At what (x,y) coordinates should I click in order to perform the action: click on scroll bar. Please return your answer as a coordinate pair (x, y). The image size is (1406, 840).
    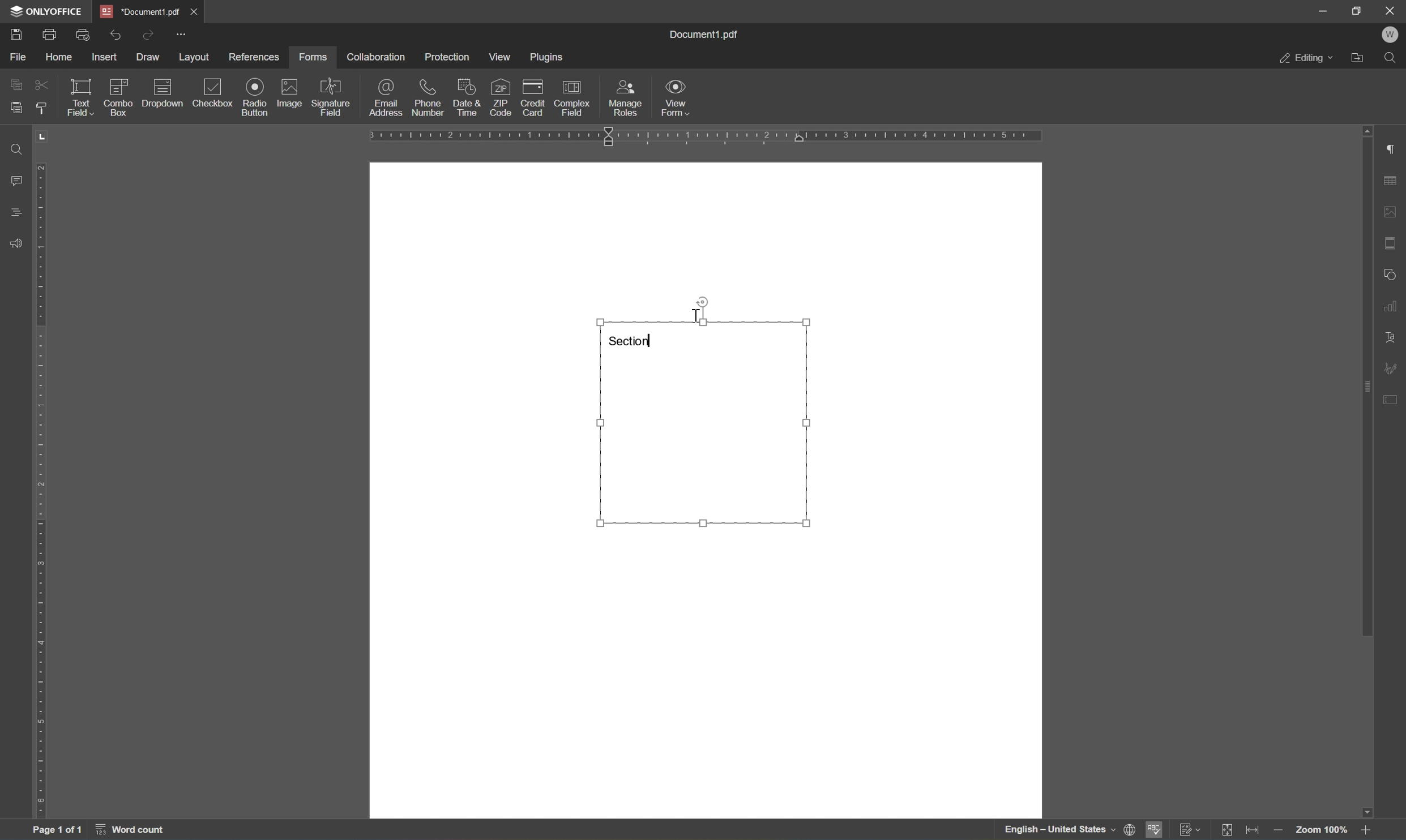
    Looking at the image, I should click on (1366, 381).